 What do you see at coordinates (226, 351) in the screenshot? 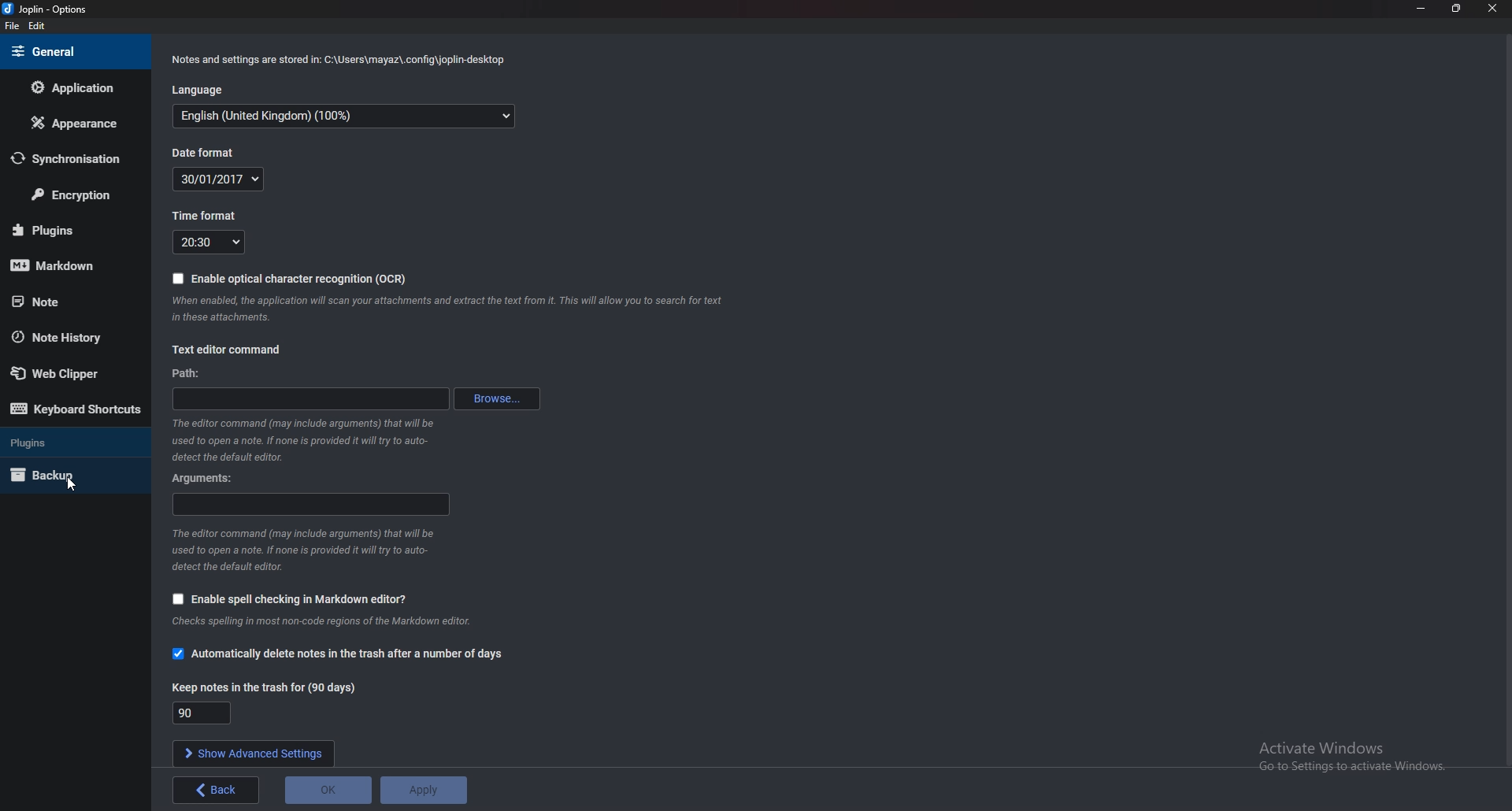
I see `Text editor command` at bounding box center [226, 351].